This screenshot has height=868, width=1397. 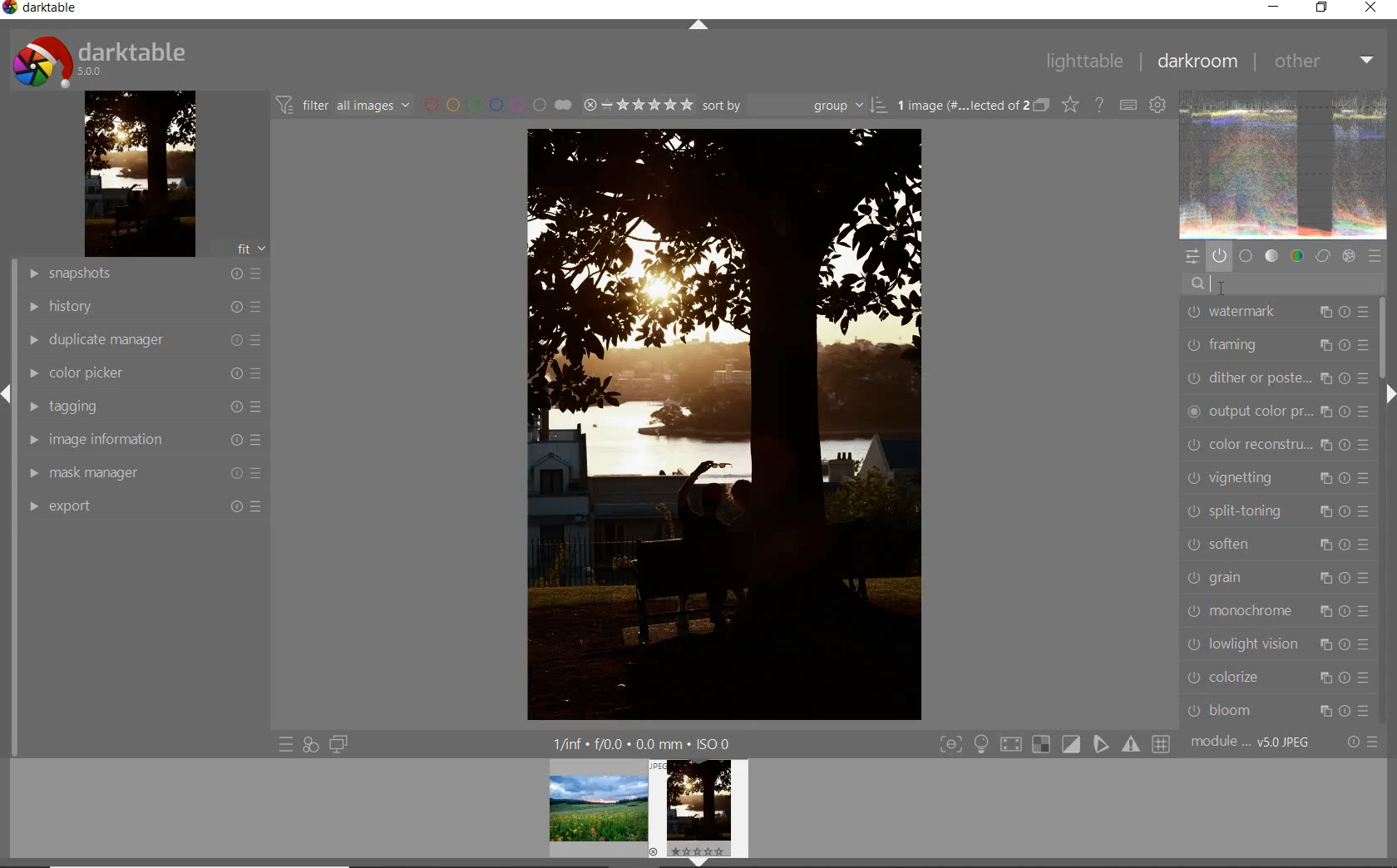 What do you see at coordinates (1082, 62) in the screenshot?
I see `lighttable` at bounding box center [1082, 62].